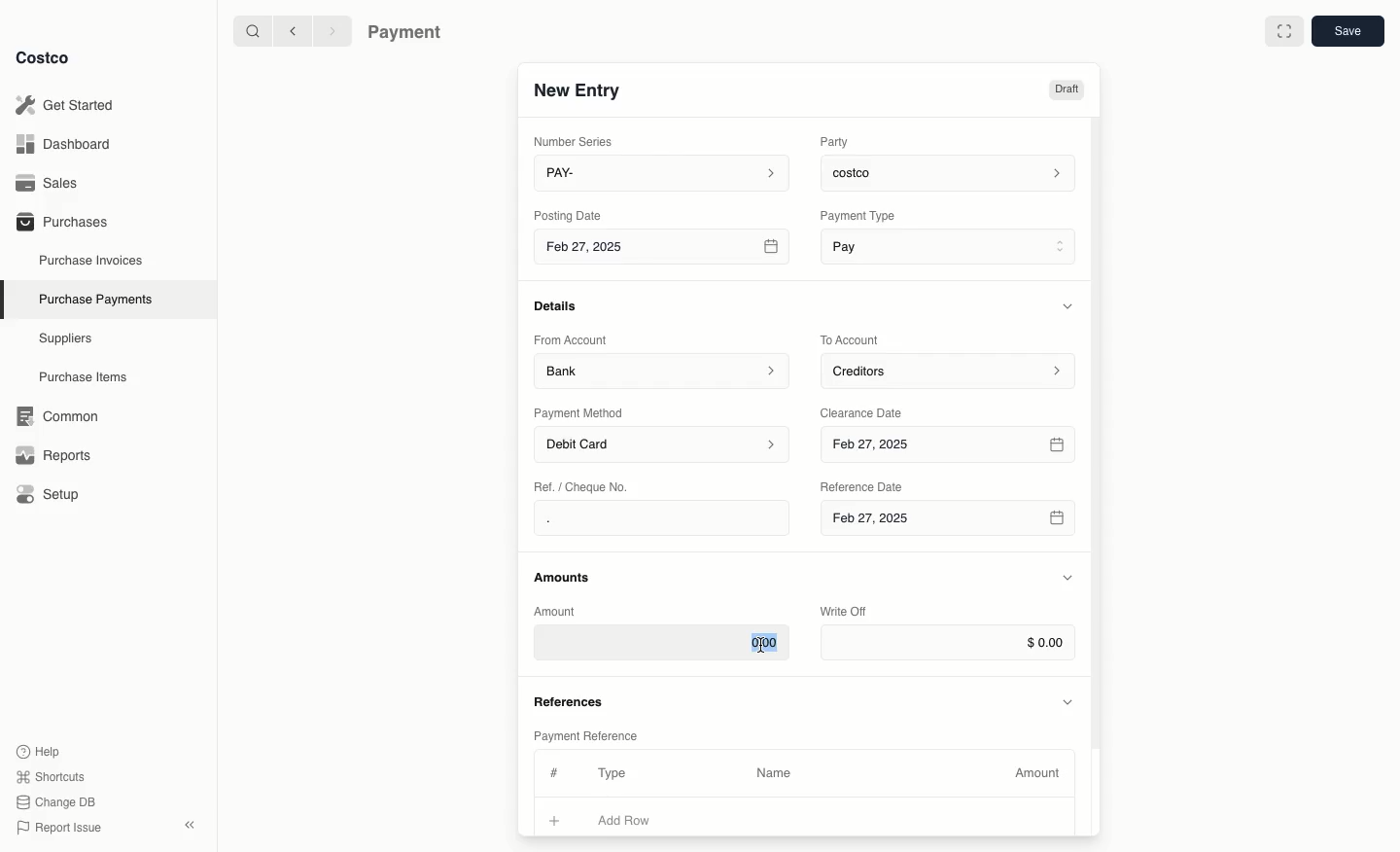 The width and height of the screenshot is (1400, 852). Describe the element at coordinates (951, 245) in the screenshot. I see `Pay` at that location.